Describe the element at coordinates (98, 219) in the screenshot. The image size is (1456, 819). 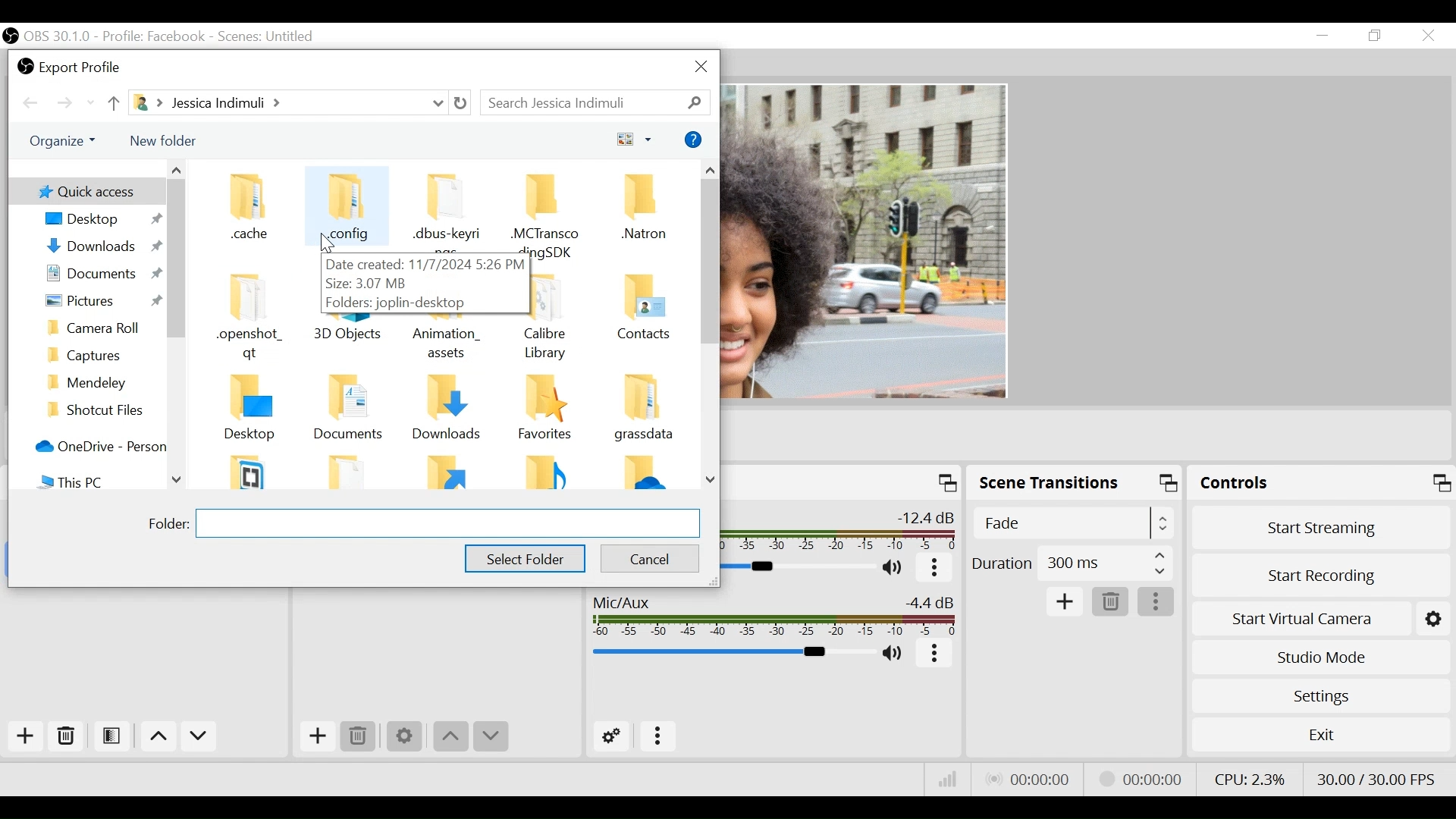
I see `Desktop` at that location.